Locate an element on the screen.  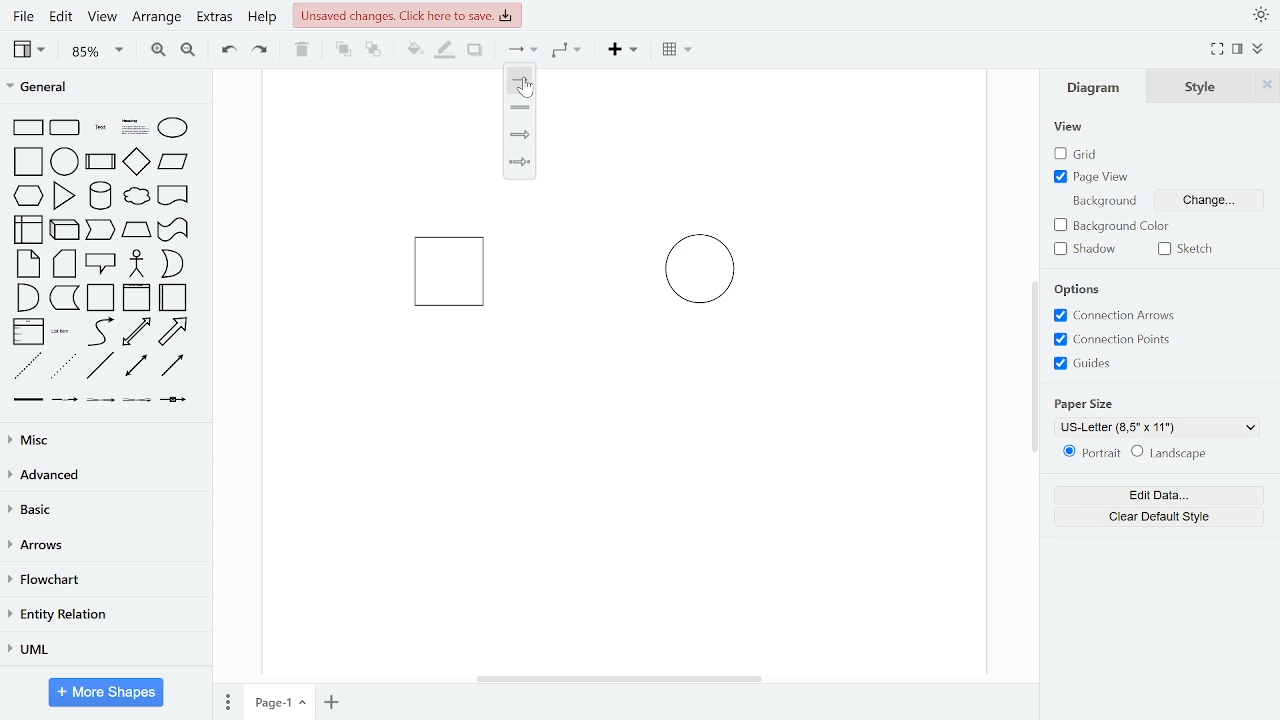
appearance is located at coordinates (1260, 15).